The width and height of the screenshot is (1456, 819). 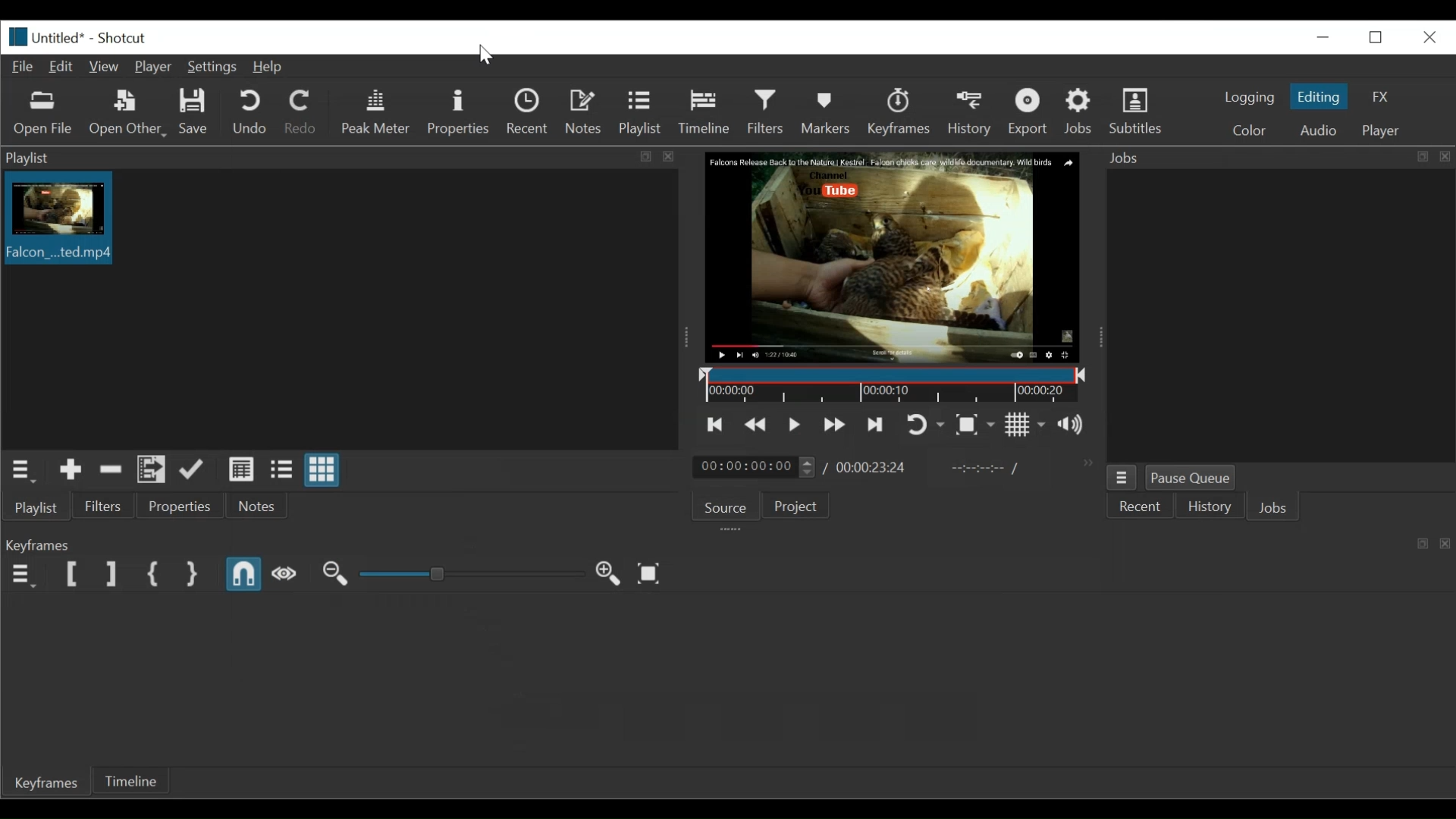 I want to click on View as files, so click(x=283, y=471).